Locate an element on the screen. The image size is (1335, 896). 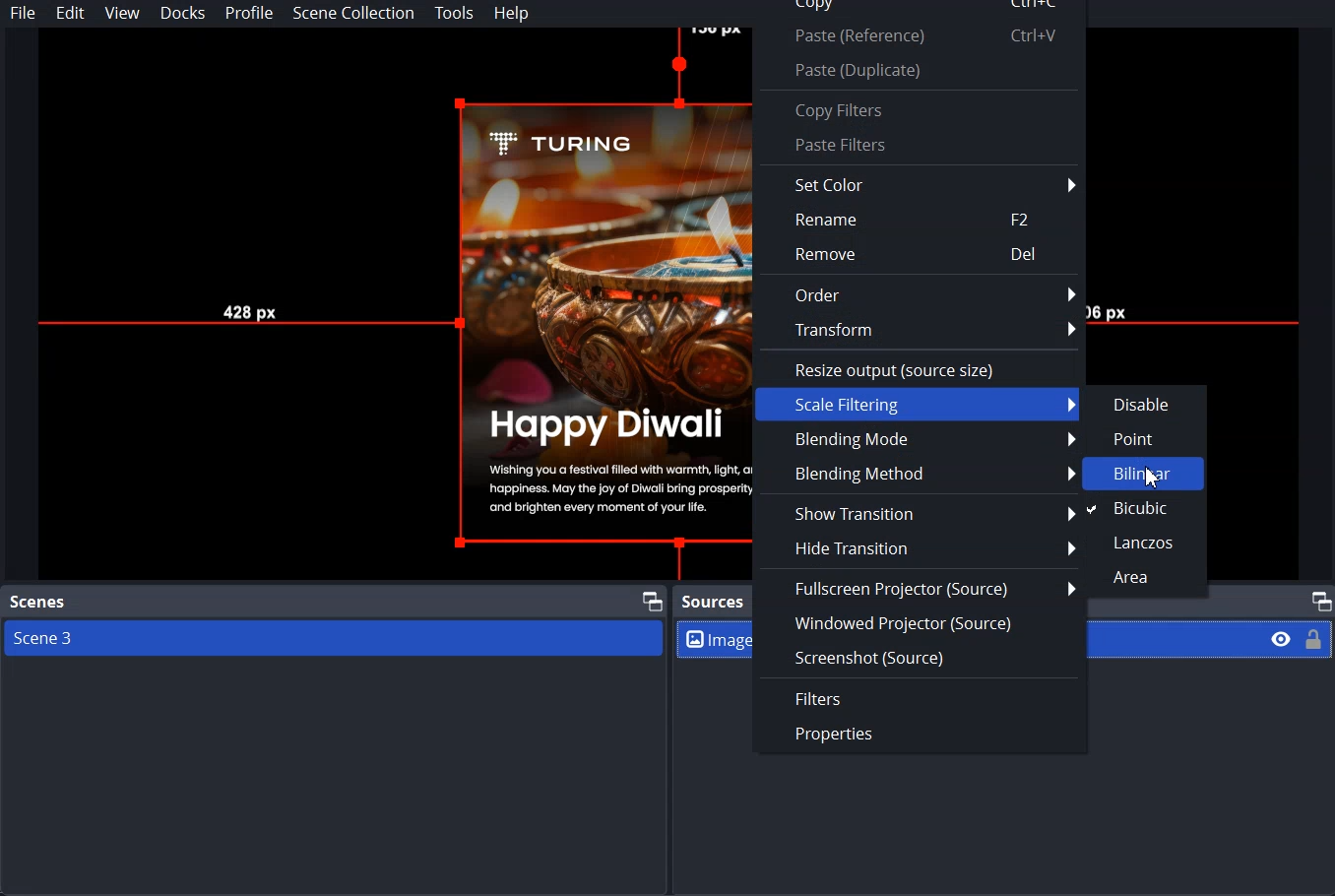
Profile is located at coordinates (249, 14).